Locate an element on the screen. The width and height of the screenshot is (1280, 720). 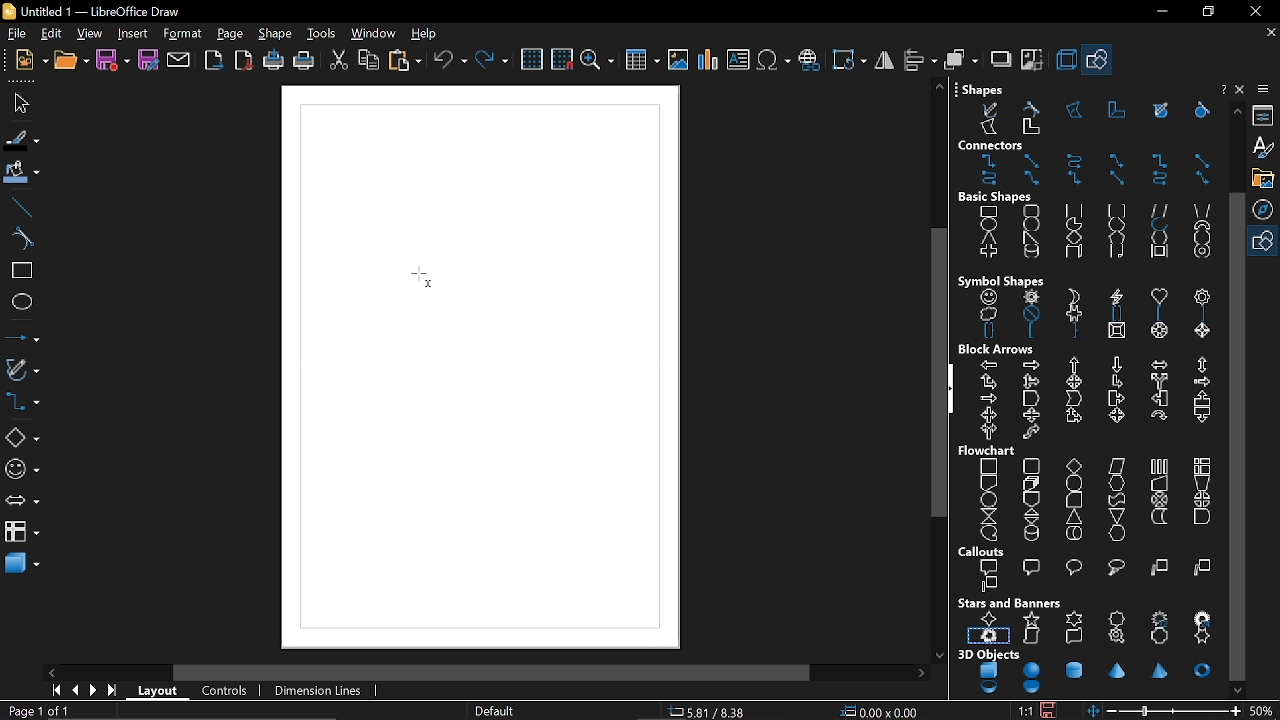
EDit is located at coordinates (52, 34).